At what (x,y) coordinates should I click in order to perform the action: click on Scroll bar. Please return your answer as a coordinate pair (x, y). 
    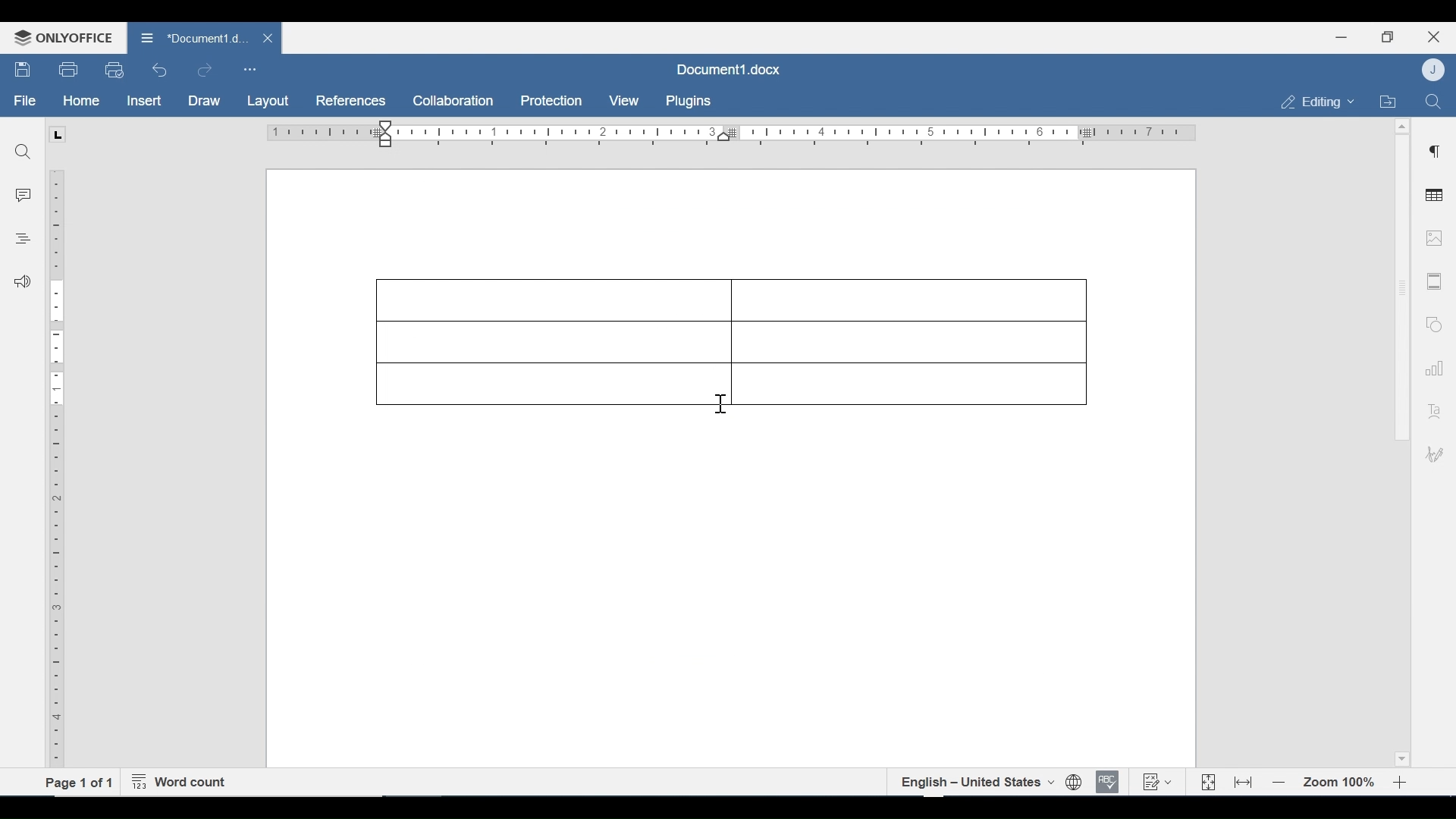
    Looking at the image, I should click on (1401, 287).